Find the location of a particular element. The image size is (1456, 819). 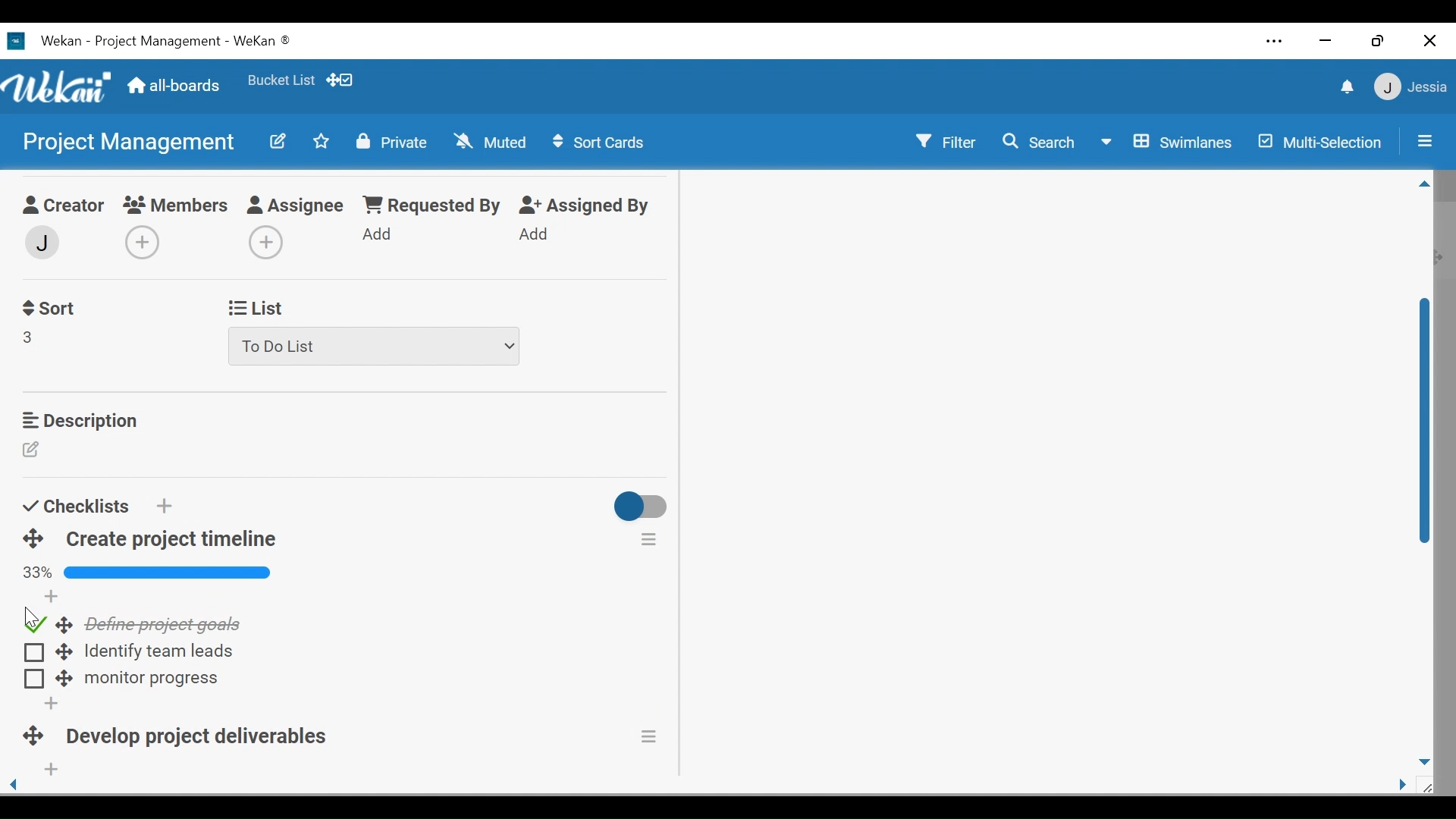

page up is located at coordinates (1425, 187).